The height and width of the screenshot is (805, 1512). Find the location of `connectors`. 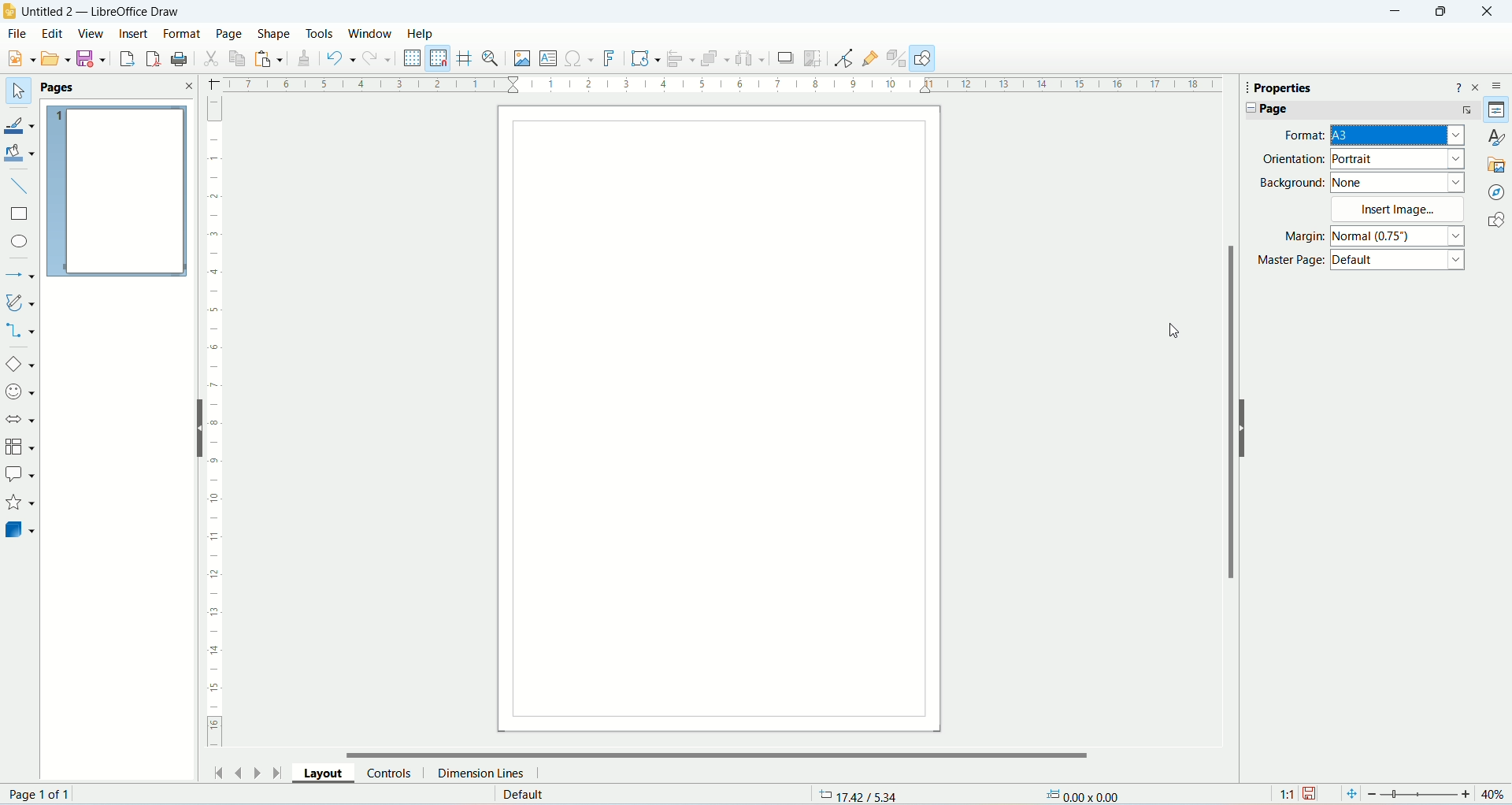

connectors is located at coordinates (20, 332).